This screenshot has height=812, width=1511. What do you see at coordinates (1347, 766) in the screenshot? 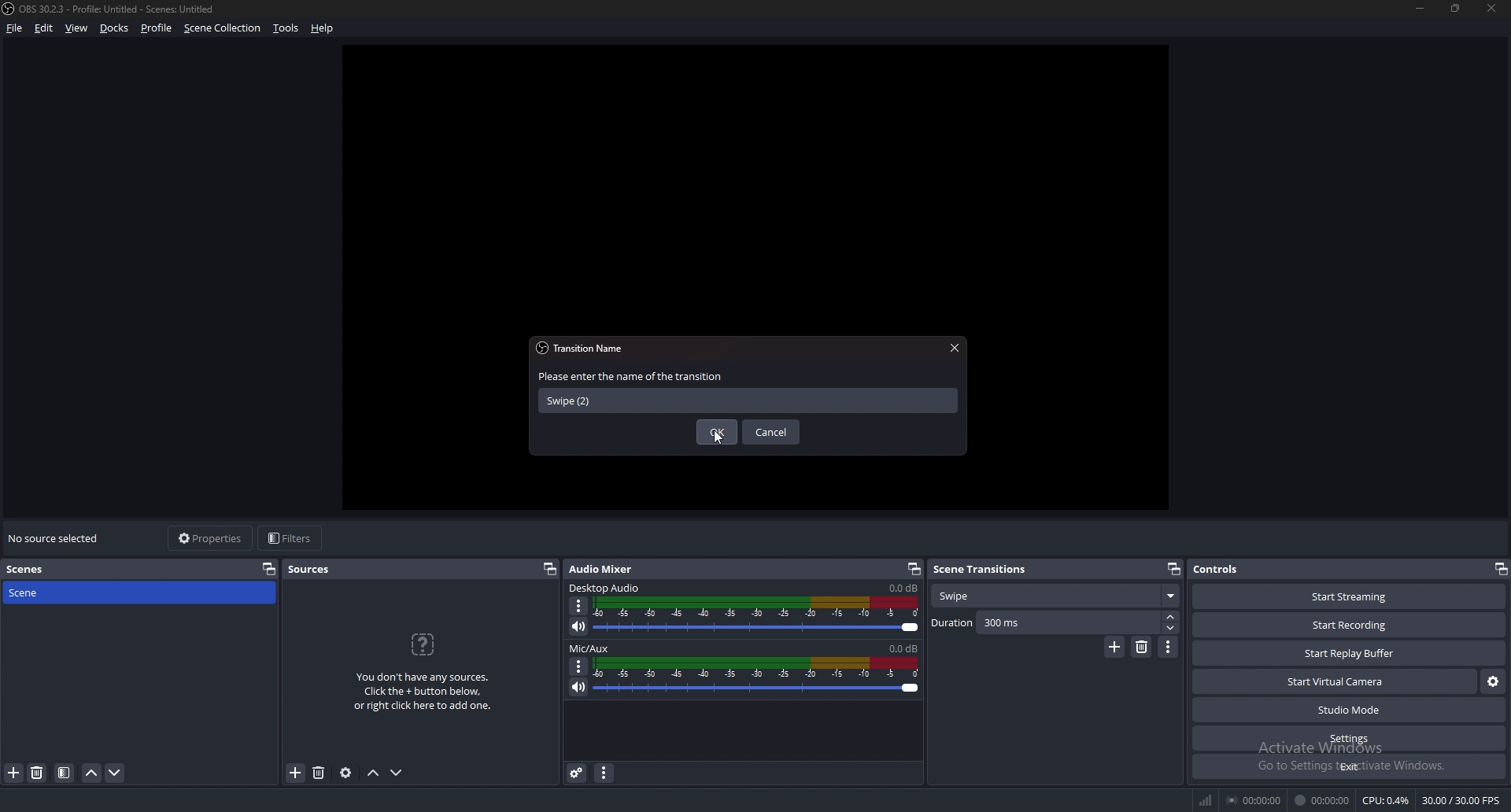
I see `exit` at bounding box center [1347, 766].